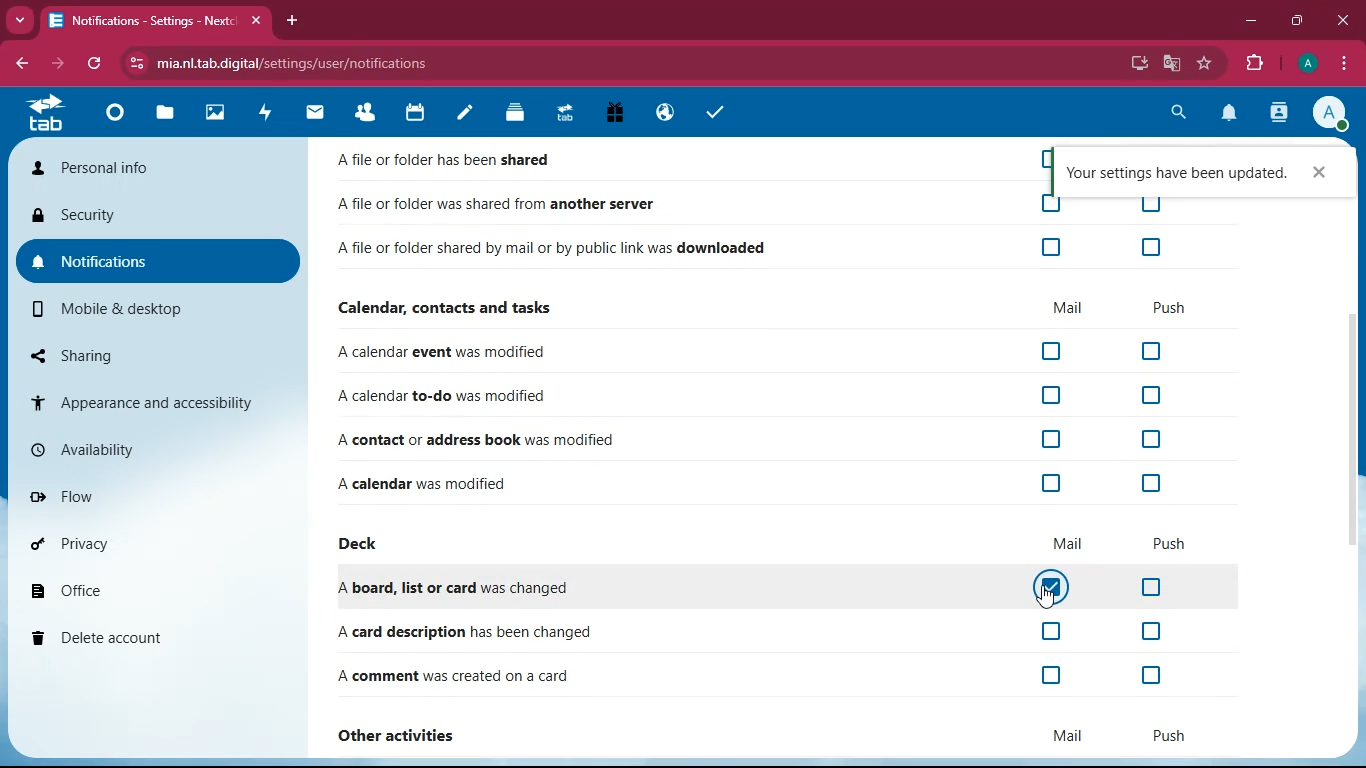 The width and height of the screenshot is (1366, 768). Describe the element at coordinates (449, 158) in the screenshot. I see `A file or folder has been shared` at that location.